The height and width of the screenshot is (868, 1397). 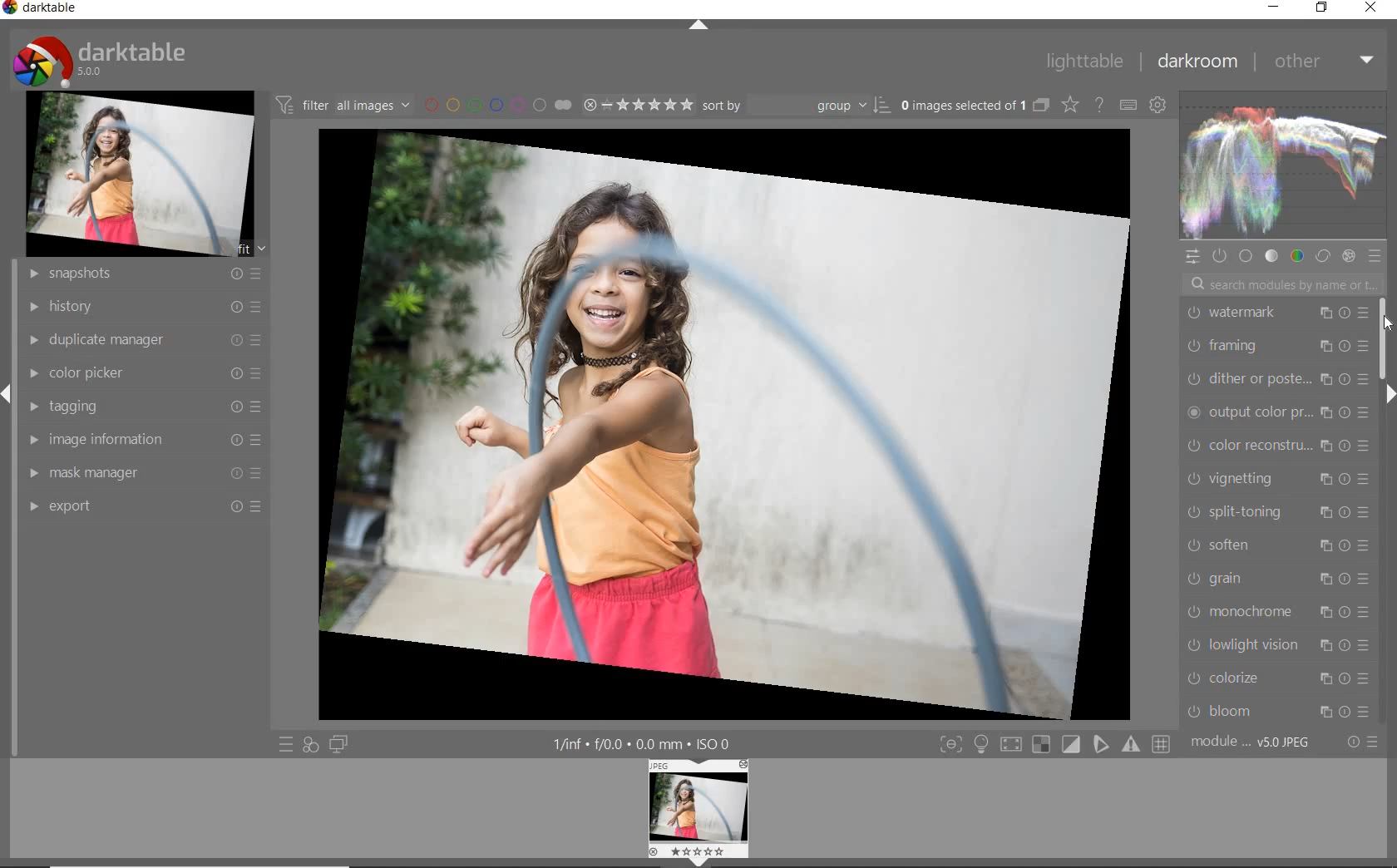 I want to click on mask manager, so click(x=142, y=474).